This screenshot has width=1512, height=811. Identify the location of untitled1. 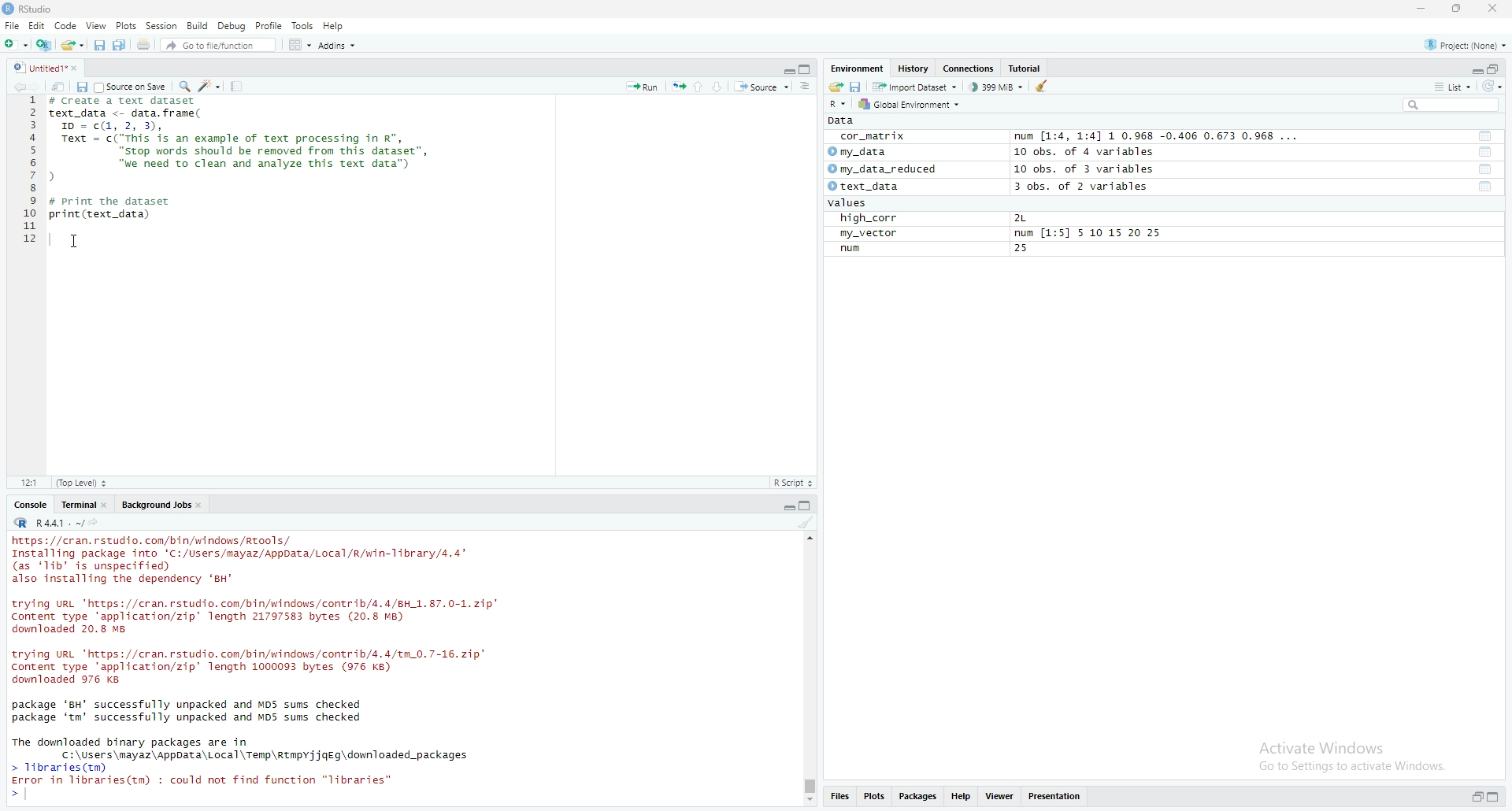
(48, 67).